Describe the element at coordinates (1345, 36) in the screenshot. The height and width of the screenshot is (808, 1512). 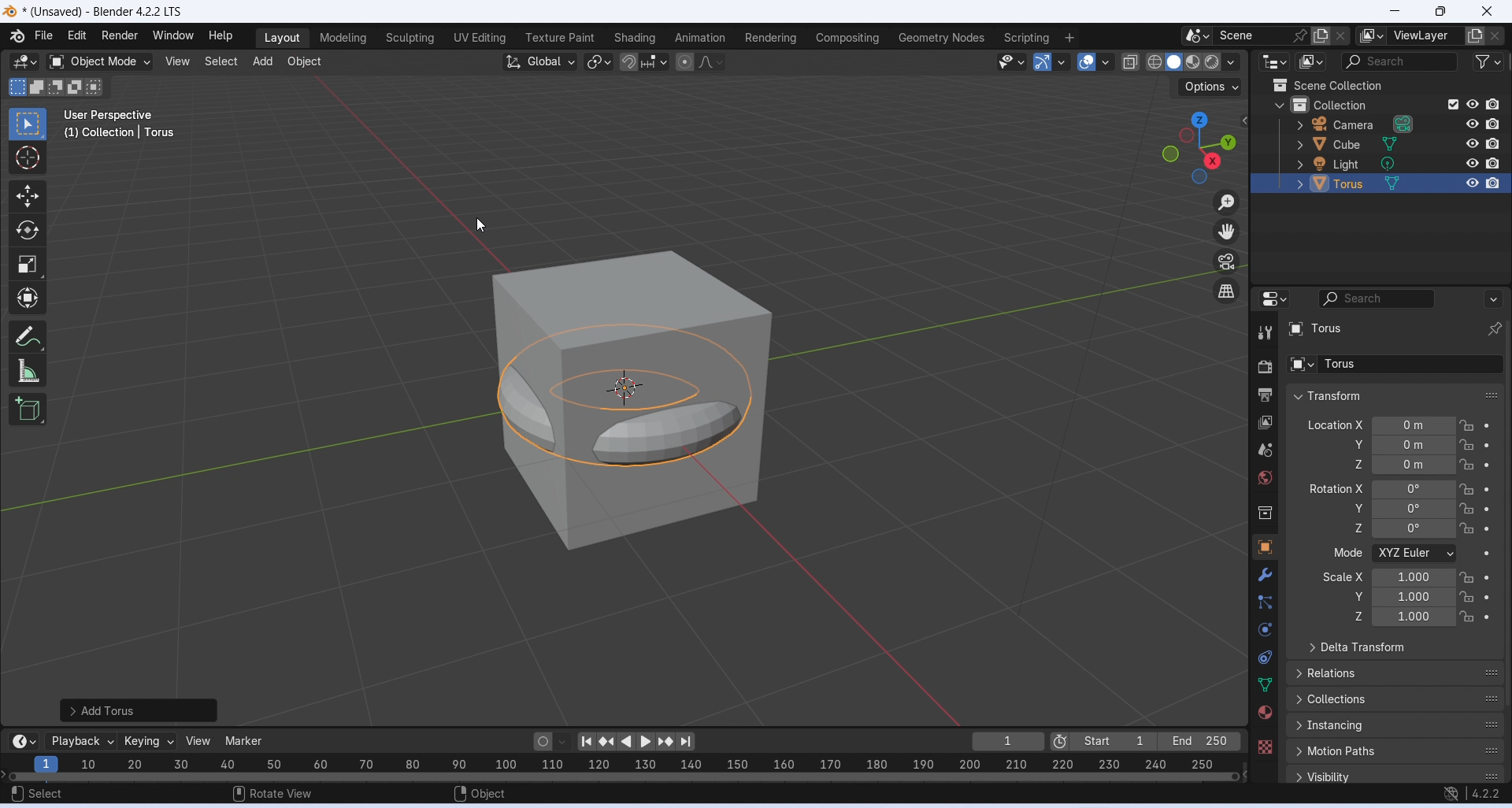
I see `New scene` at that location.